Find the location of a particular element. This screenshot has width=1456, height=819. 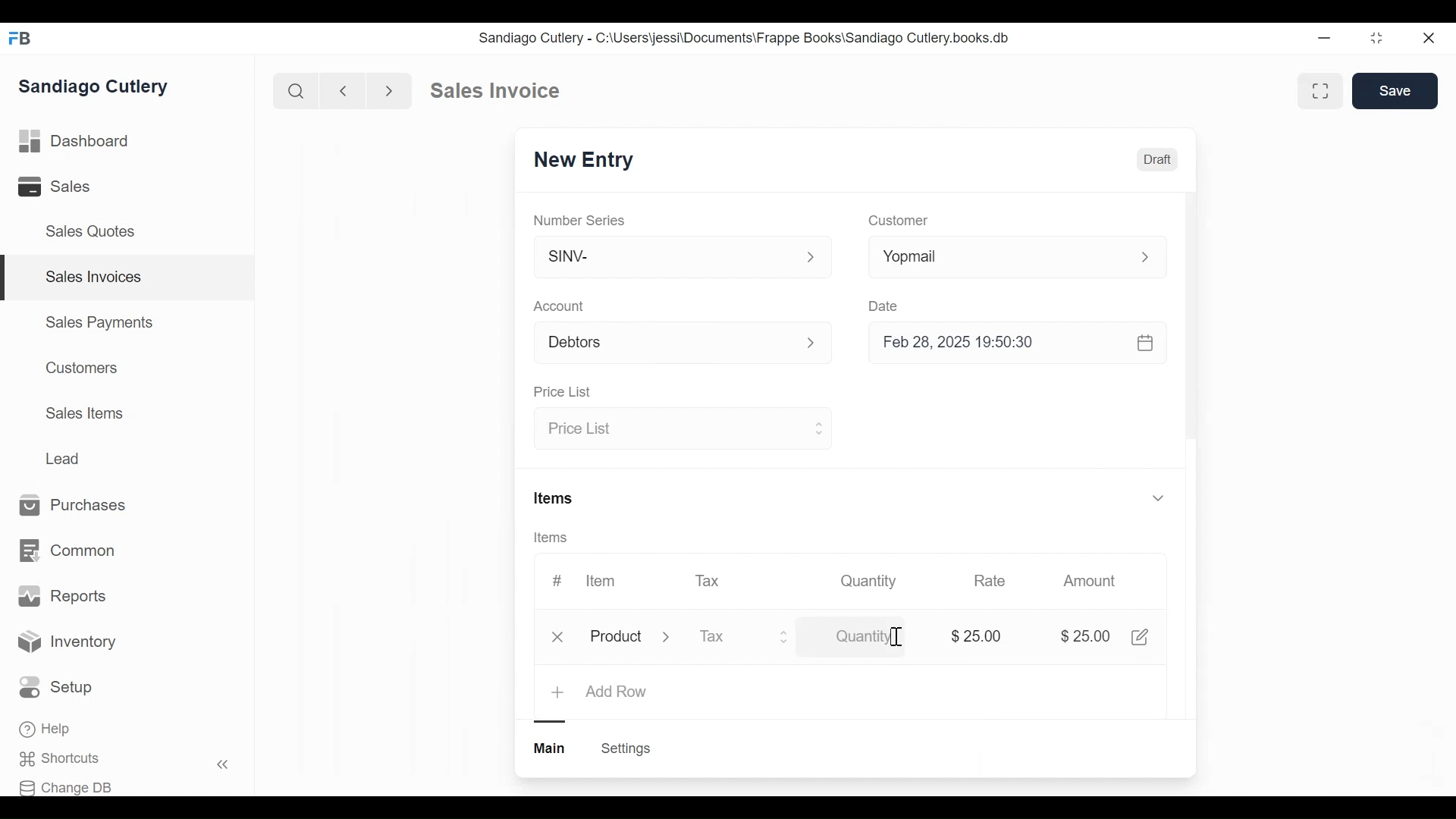

Account p is located at coordinates (684, 344).